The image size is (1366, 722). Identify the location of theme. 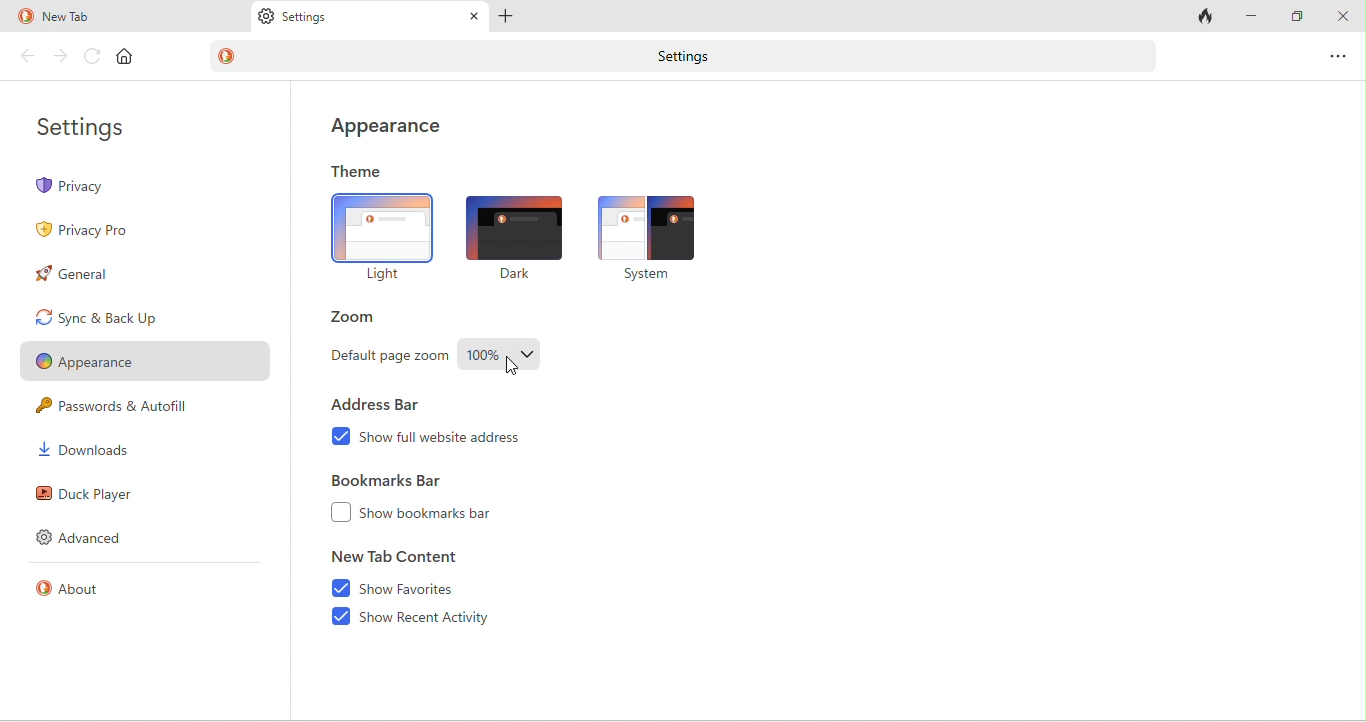
(359, 173).